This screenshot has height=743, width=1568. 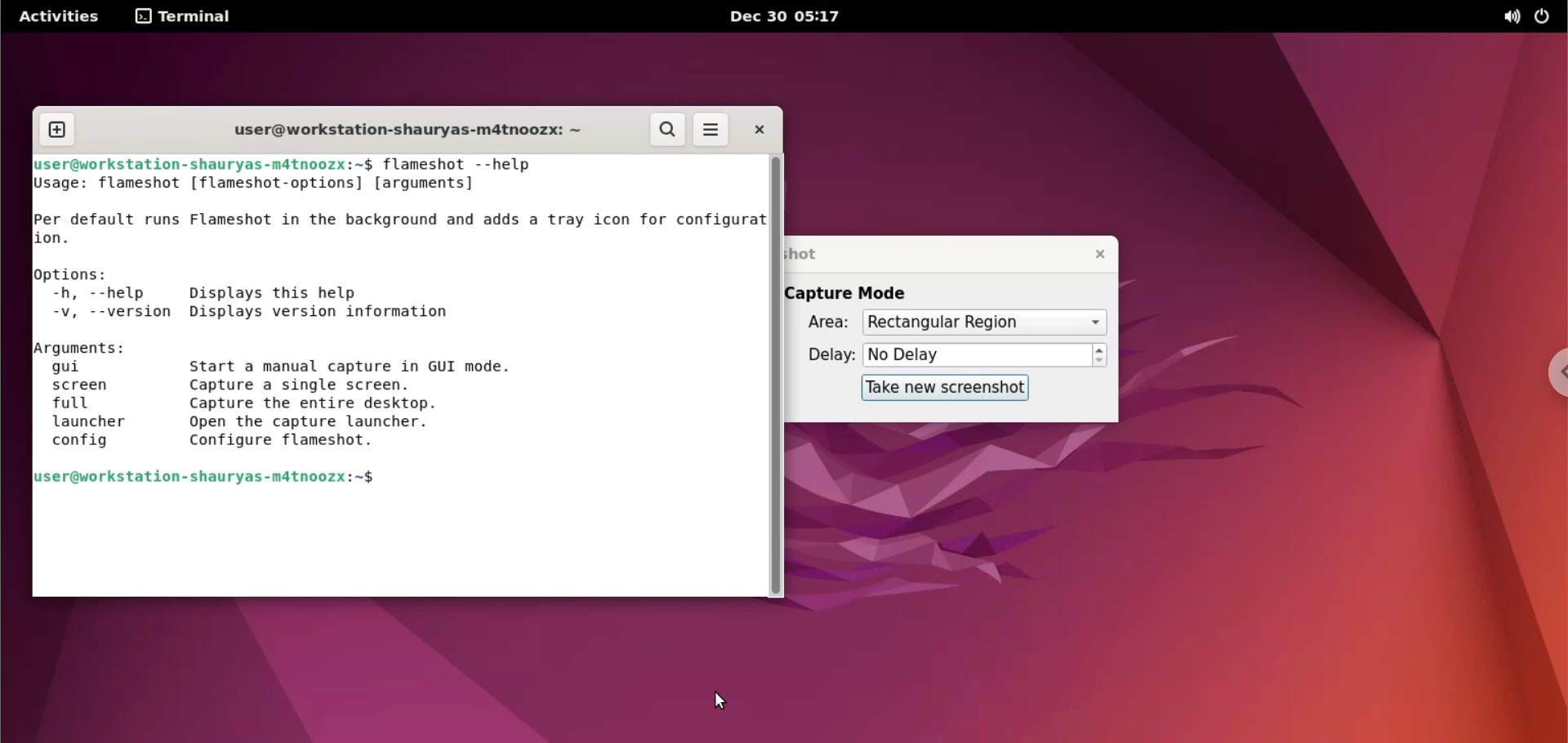 I want to click on sound options, so click(x=1508, y=19).